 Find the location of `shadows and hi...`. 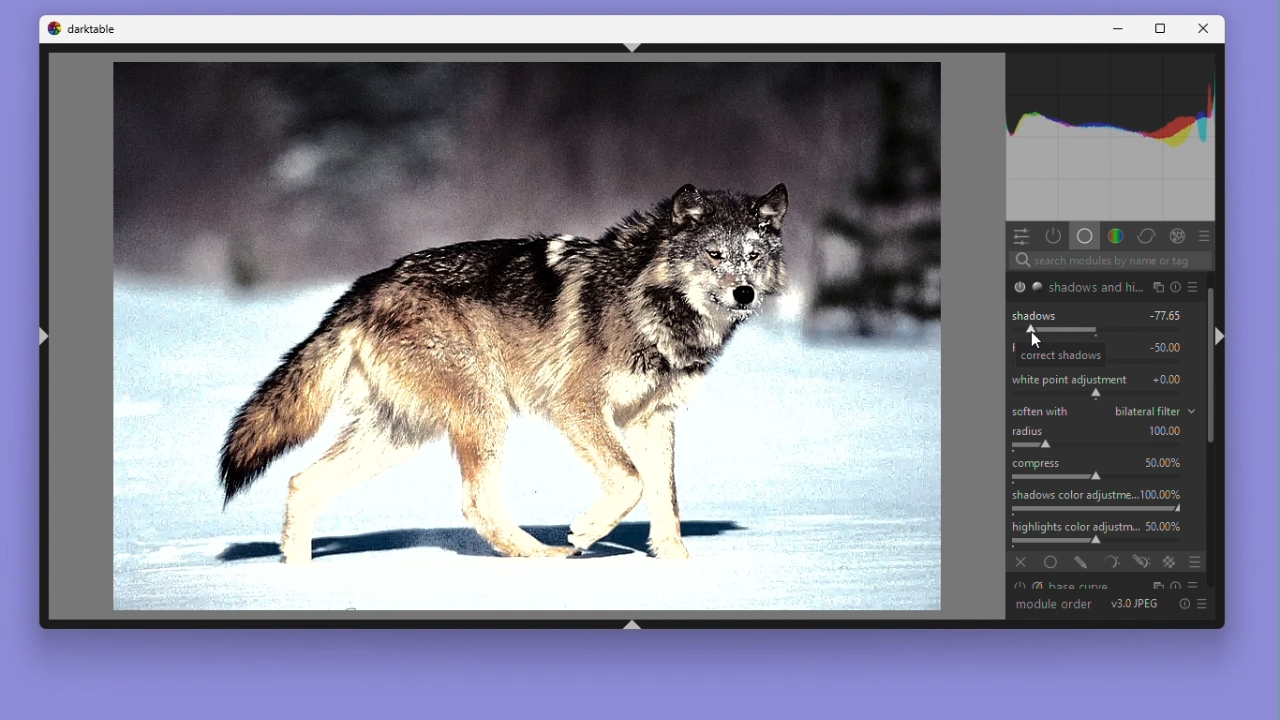

shadows and hi... is located at coordinates (1098, 289).